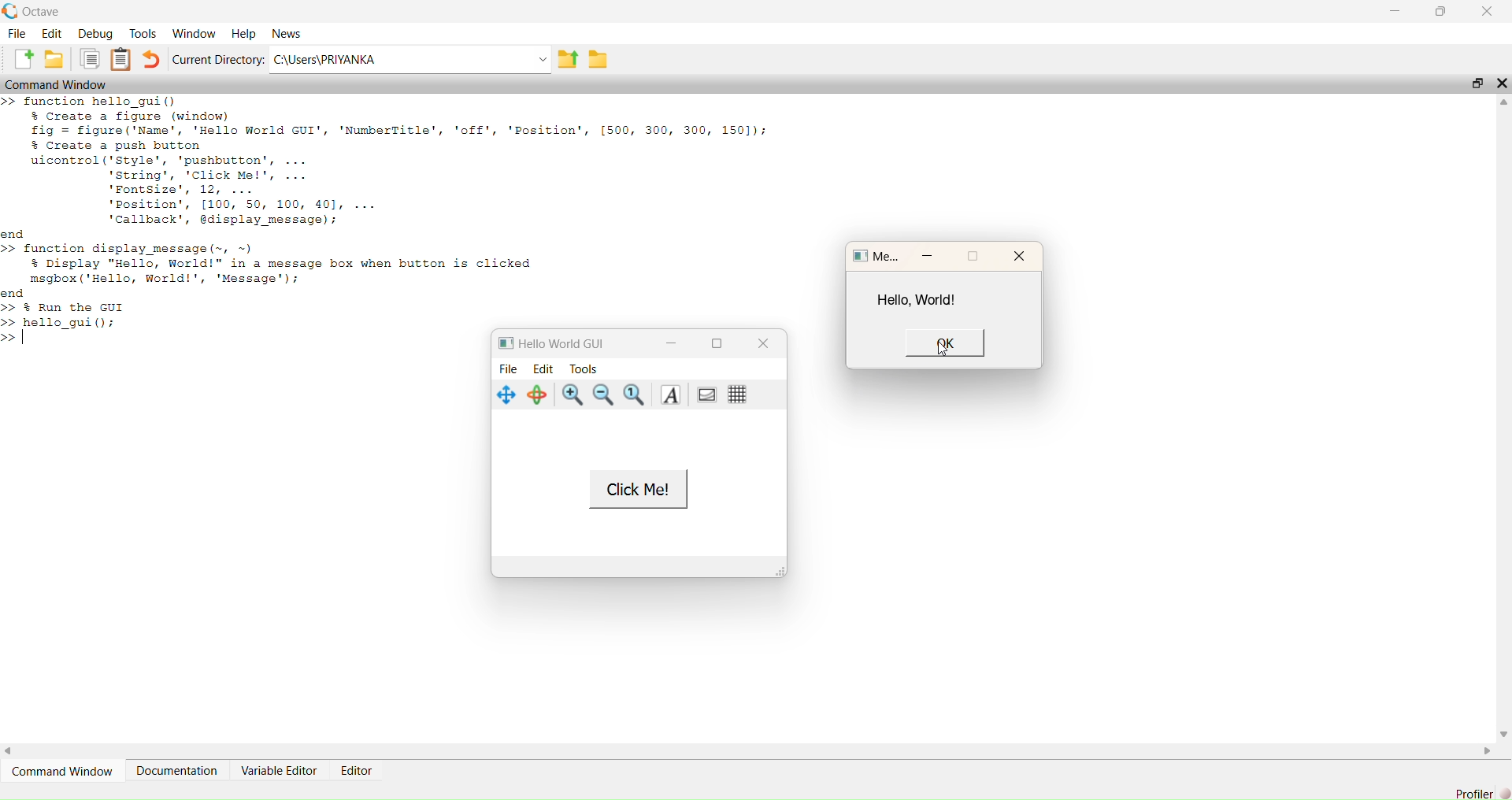  I want to click on export, so click(569, 64).